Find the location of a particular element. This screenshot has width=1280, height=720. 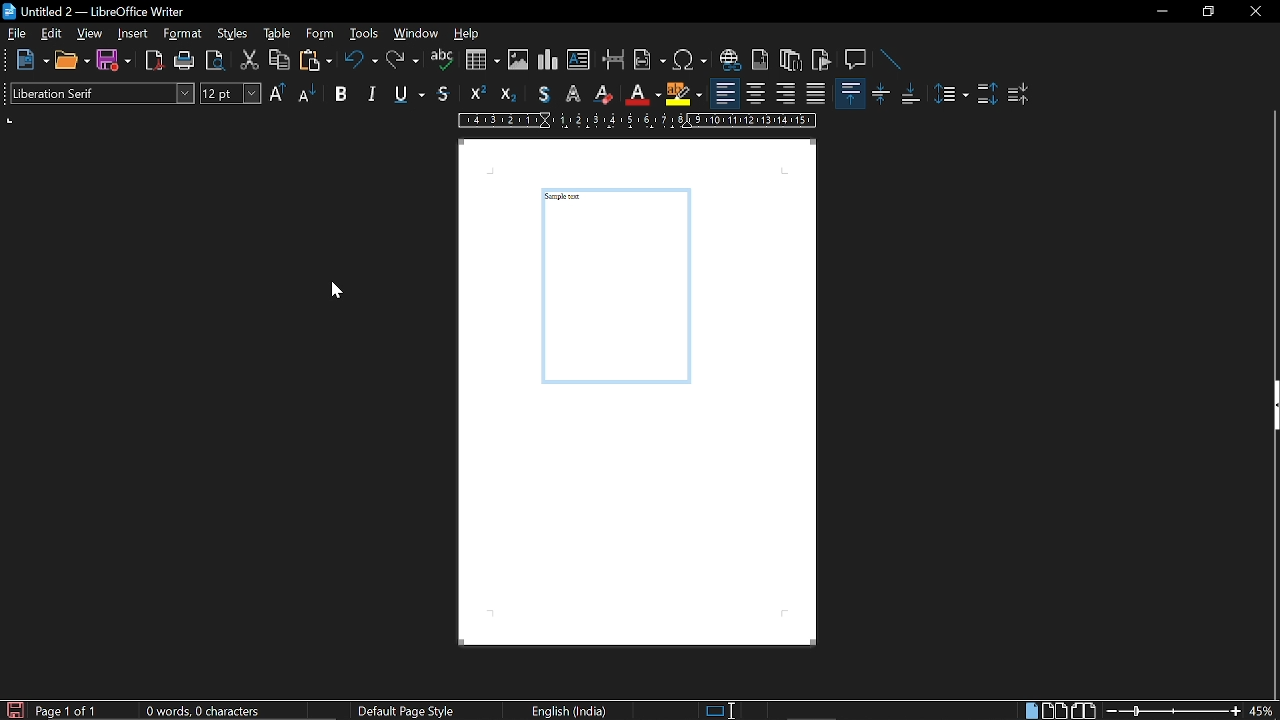

strikethrough is located at coordinates (443, 95).